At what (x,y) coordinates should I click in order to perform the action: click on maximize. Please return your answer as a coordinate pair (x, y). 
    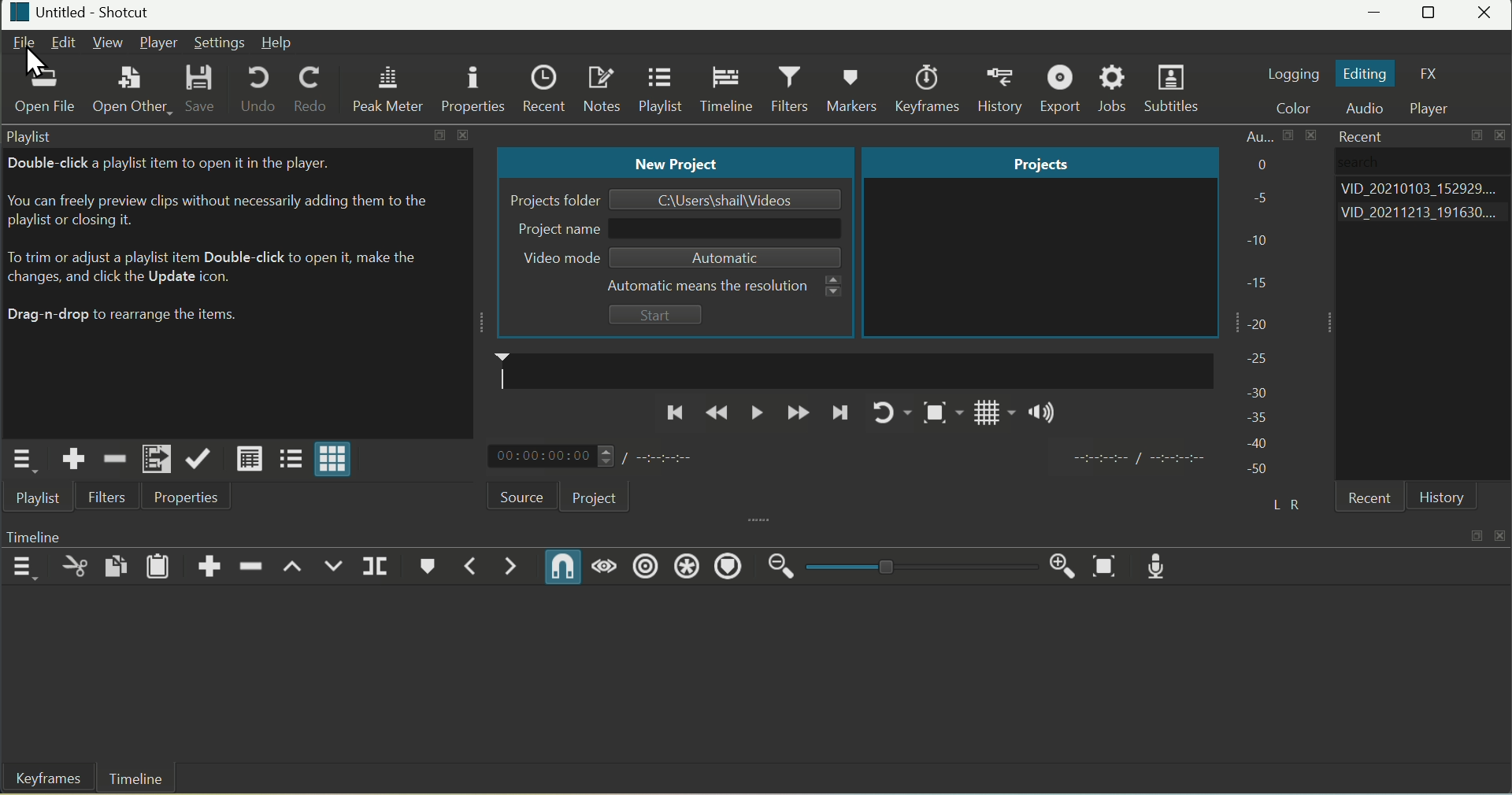
    Looking at the image, I should click on (1478, 138).